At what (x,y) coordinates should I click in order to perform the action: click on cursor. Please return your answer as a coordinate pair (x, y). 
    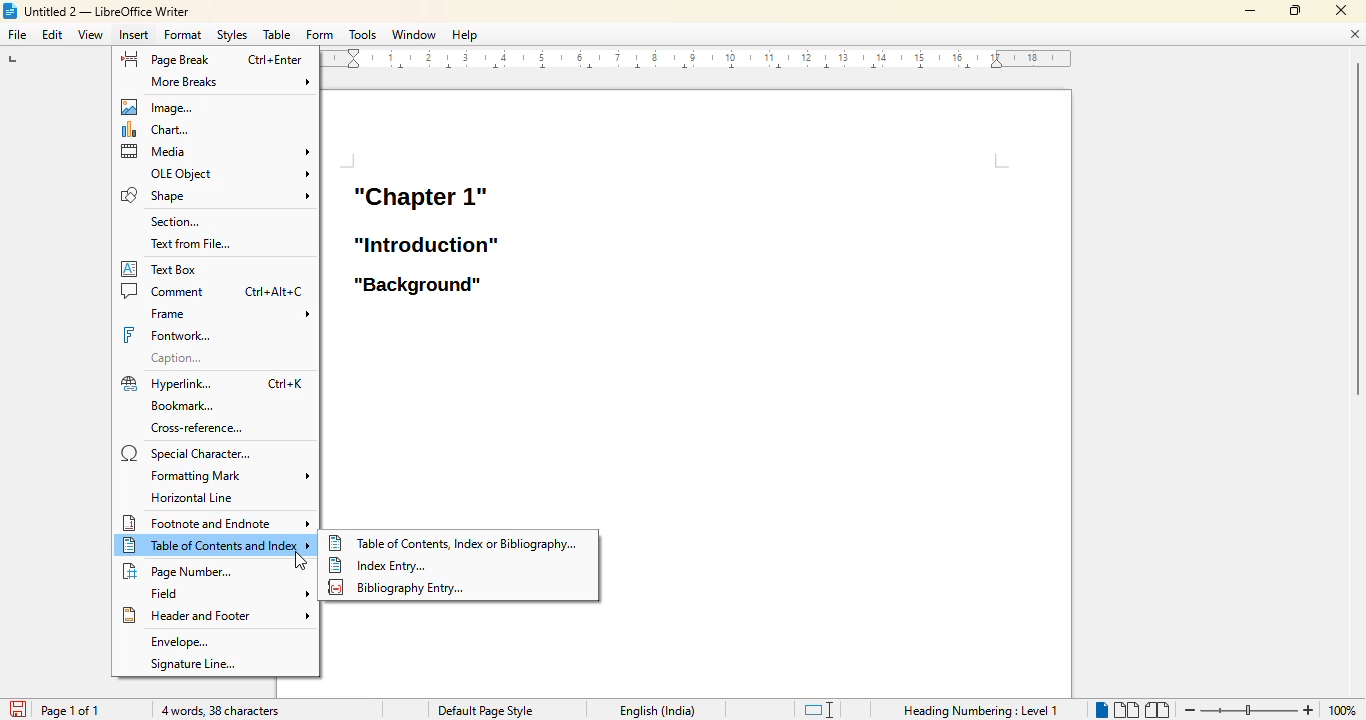
    Looking at the image, I should click on (300, 560).